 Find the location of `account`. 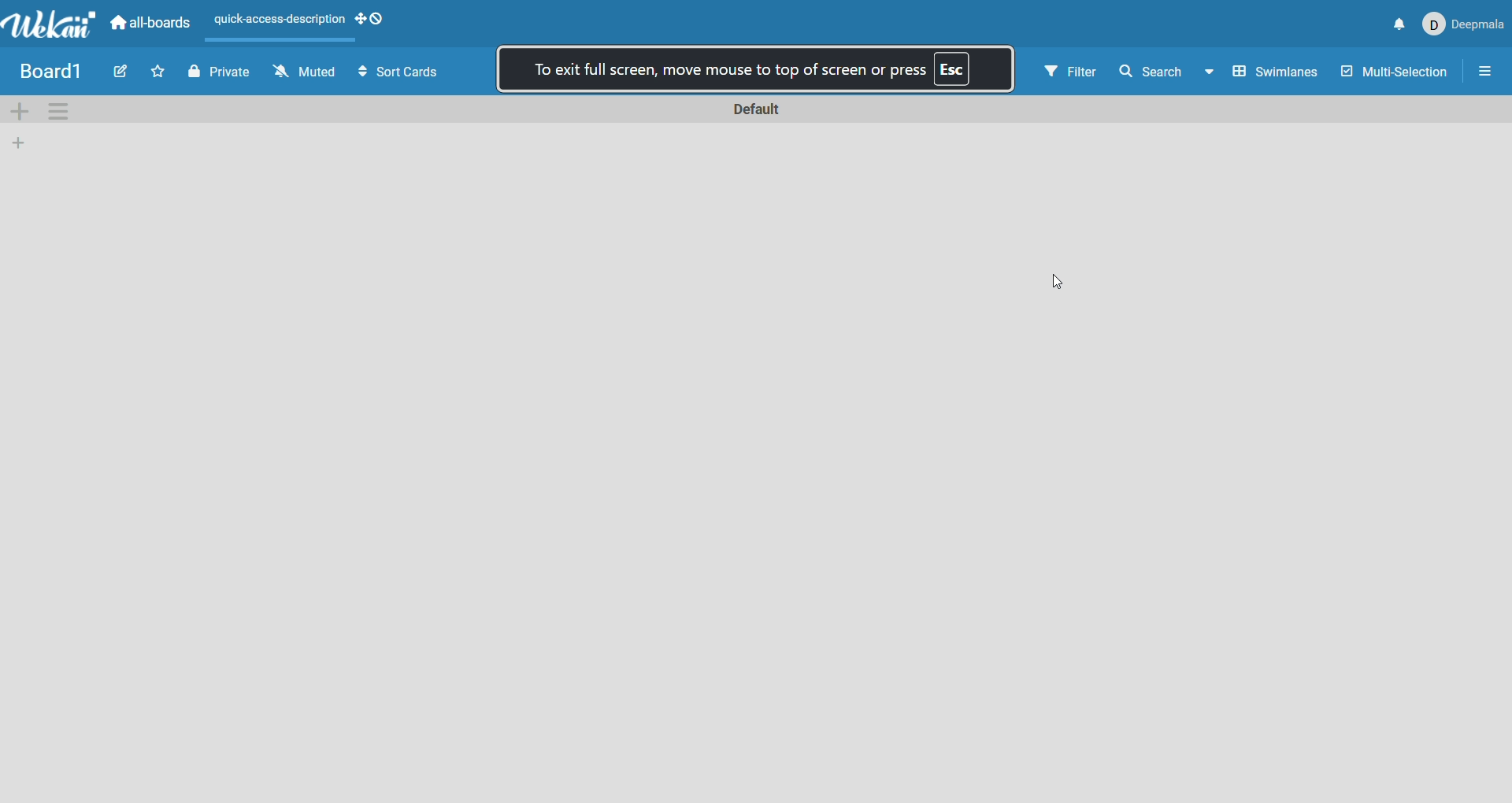

account is located at coordinates (1464, 24).